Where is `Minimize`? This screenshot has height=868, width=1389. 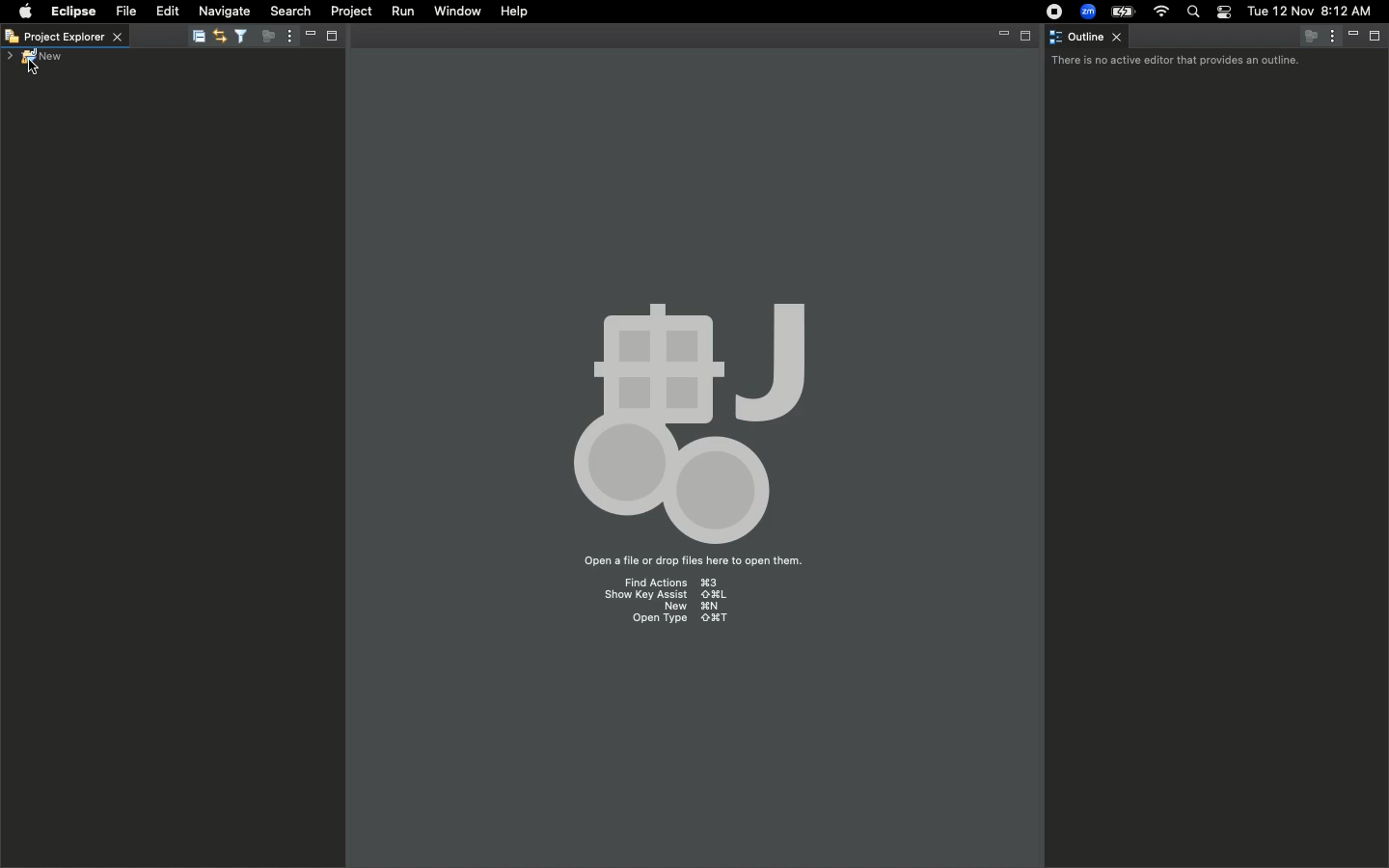 Minimize is located at coordinates (307, 36).